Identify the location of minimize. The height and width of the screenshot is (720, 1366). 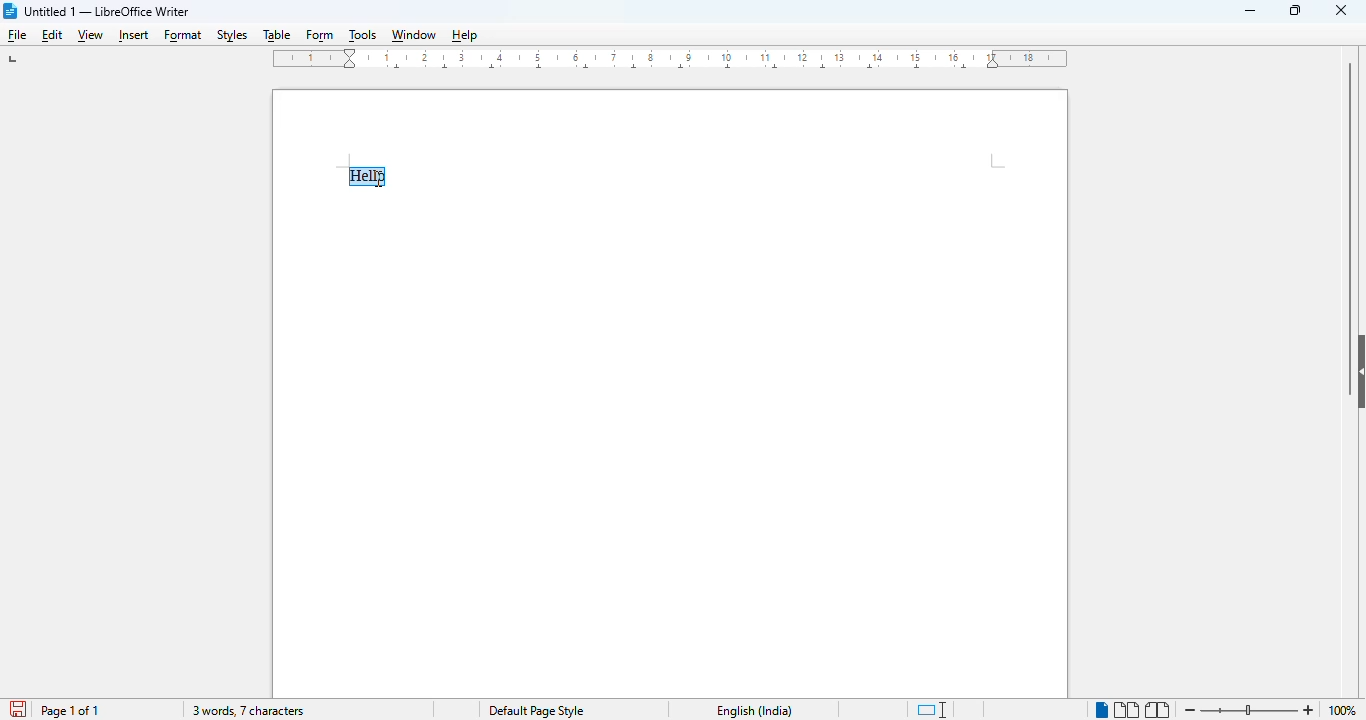
(1251, 11).